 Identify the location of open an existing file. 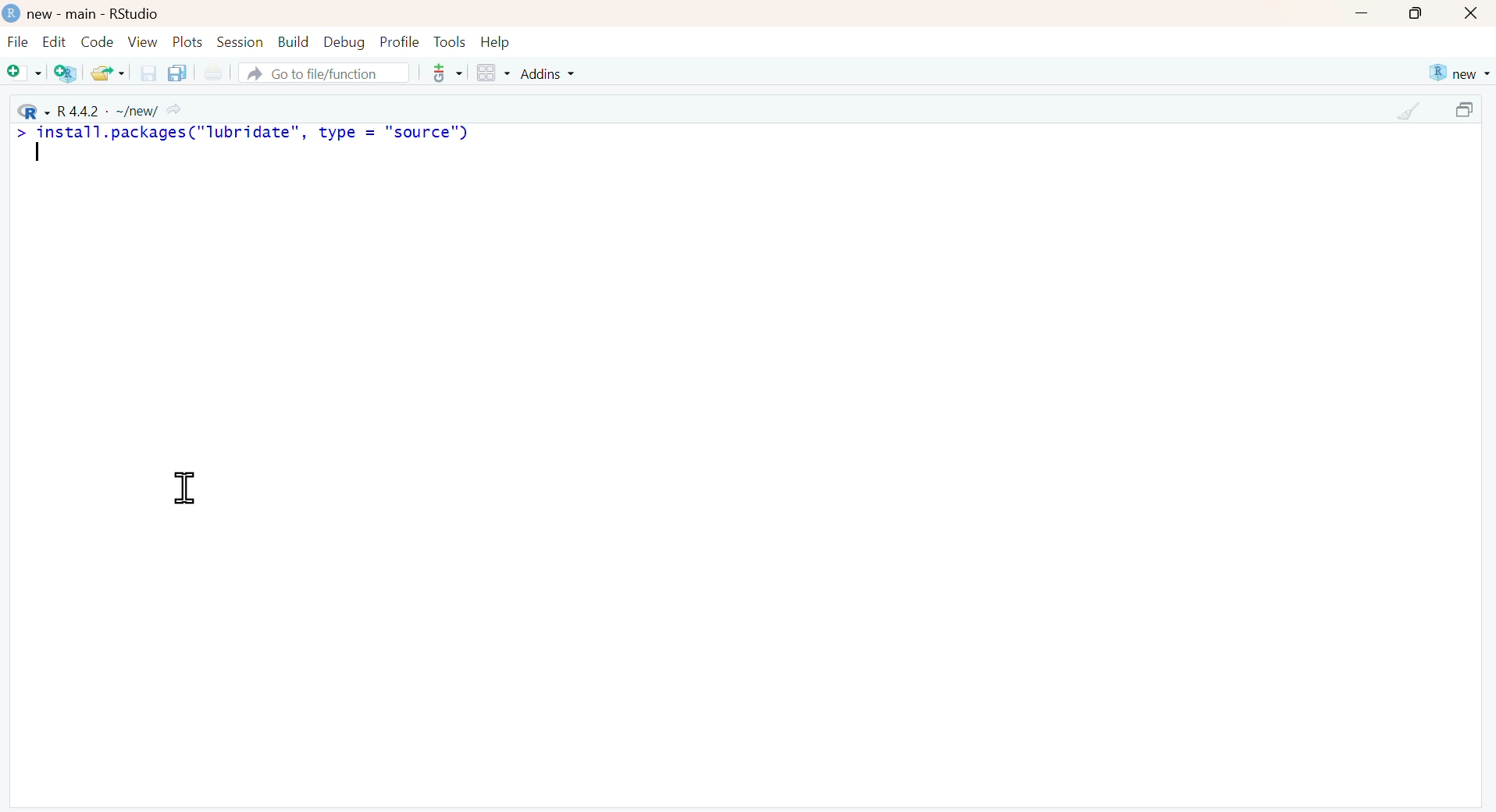
(107, 72).